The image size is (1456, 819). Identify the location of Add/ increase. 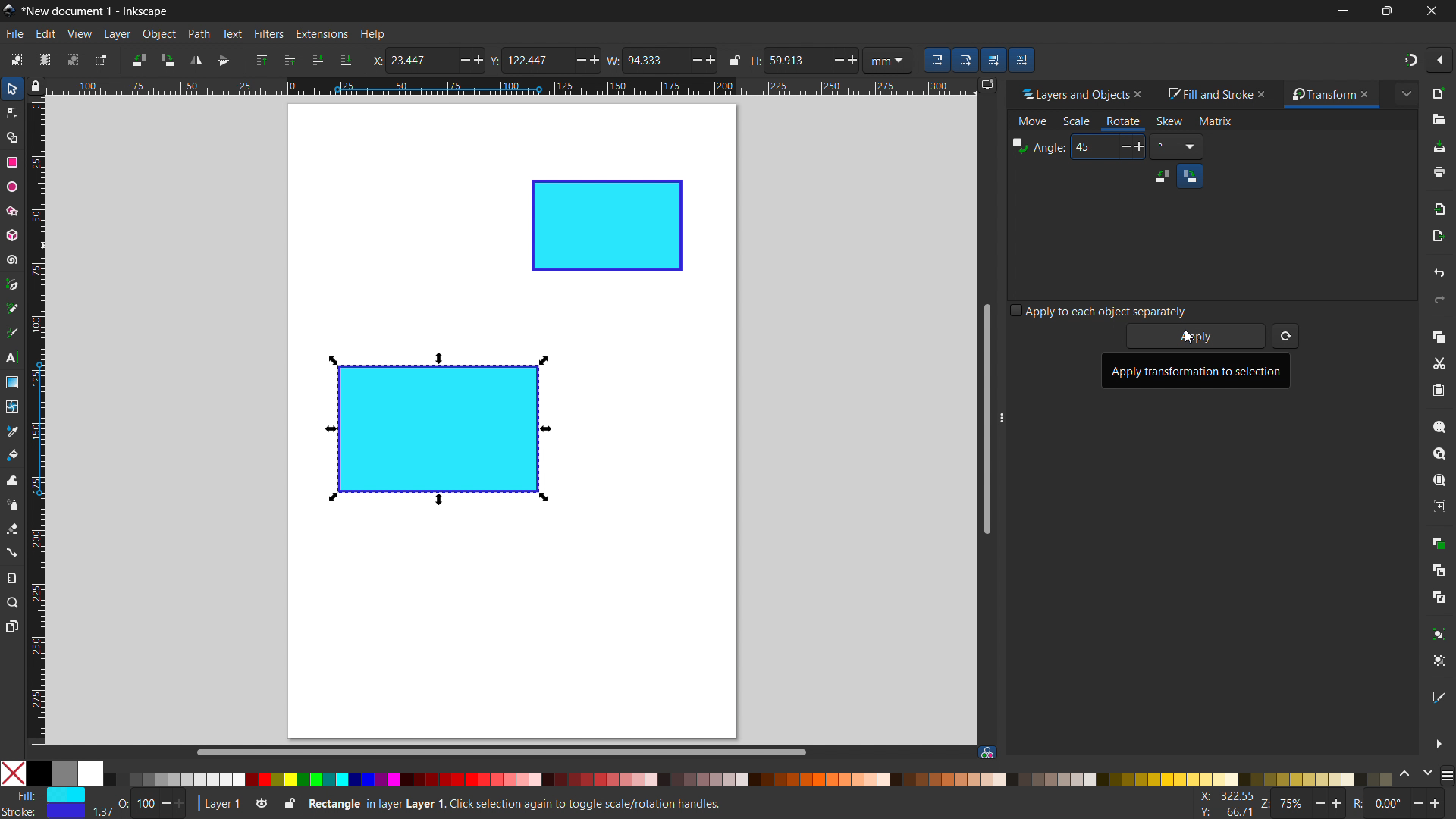
(597, 60).